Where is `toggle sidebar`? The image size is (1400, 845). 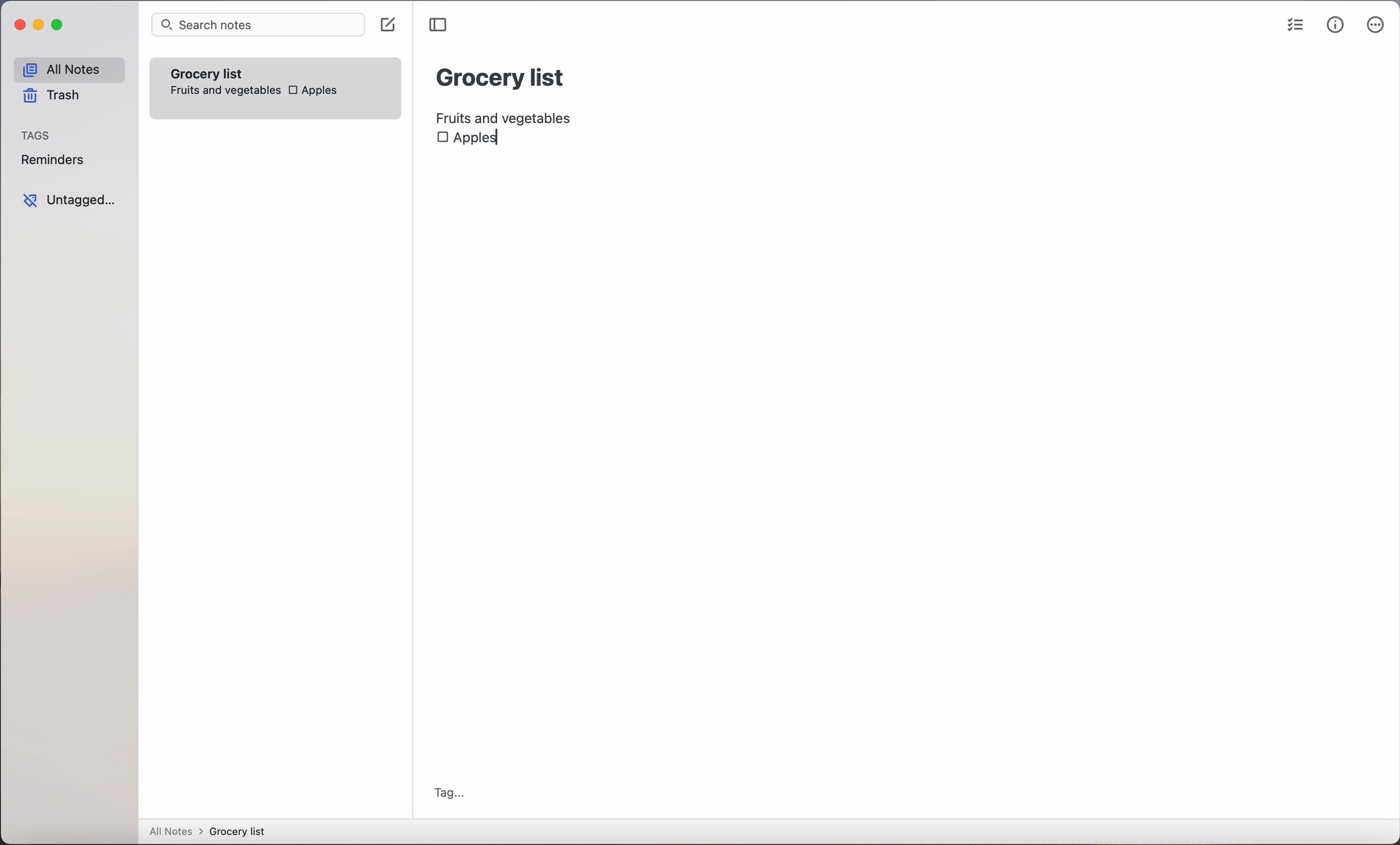 toggle sidebar is located at coordinates (440, 25).